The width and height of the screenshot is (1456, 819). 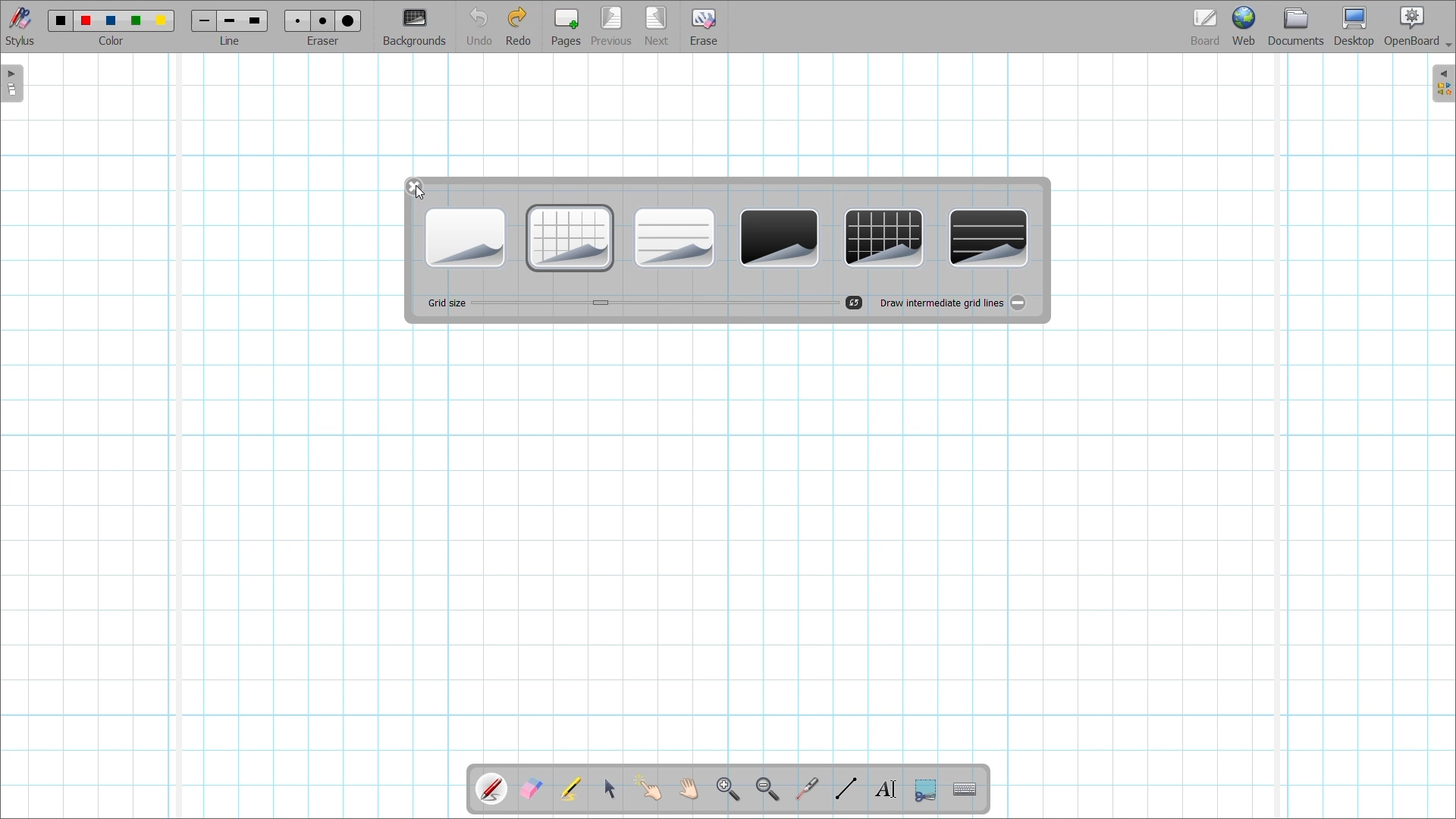 I want to click on Line, so click(x=231, y=41).